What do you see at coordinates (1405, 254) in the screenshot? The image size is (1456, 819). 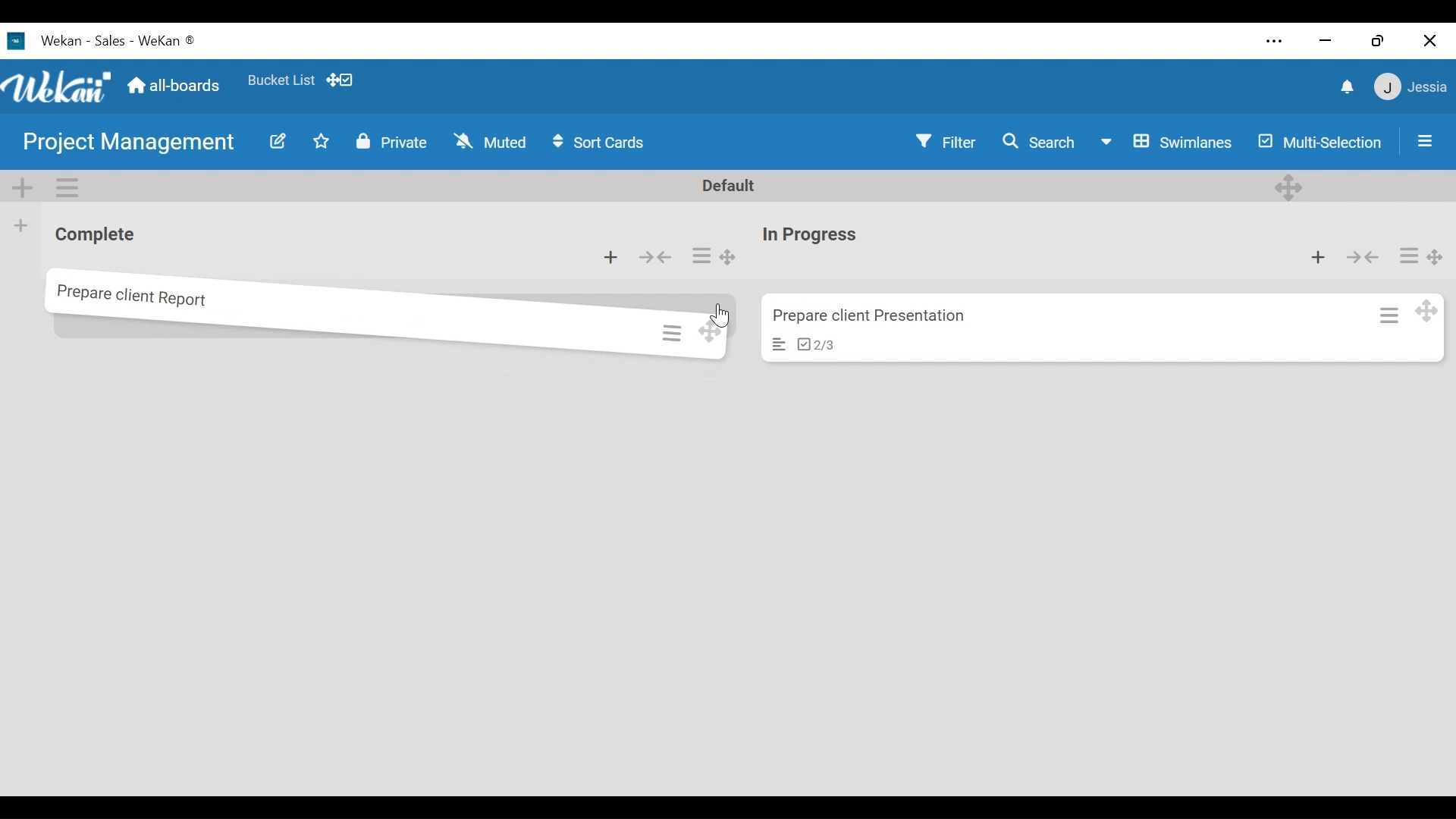 I see `Card actions` at bounding box center [1405, 254].